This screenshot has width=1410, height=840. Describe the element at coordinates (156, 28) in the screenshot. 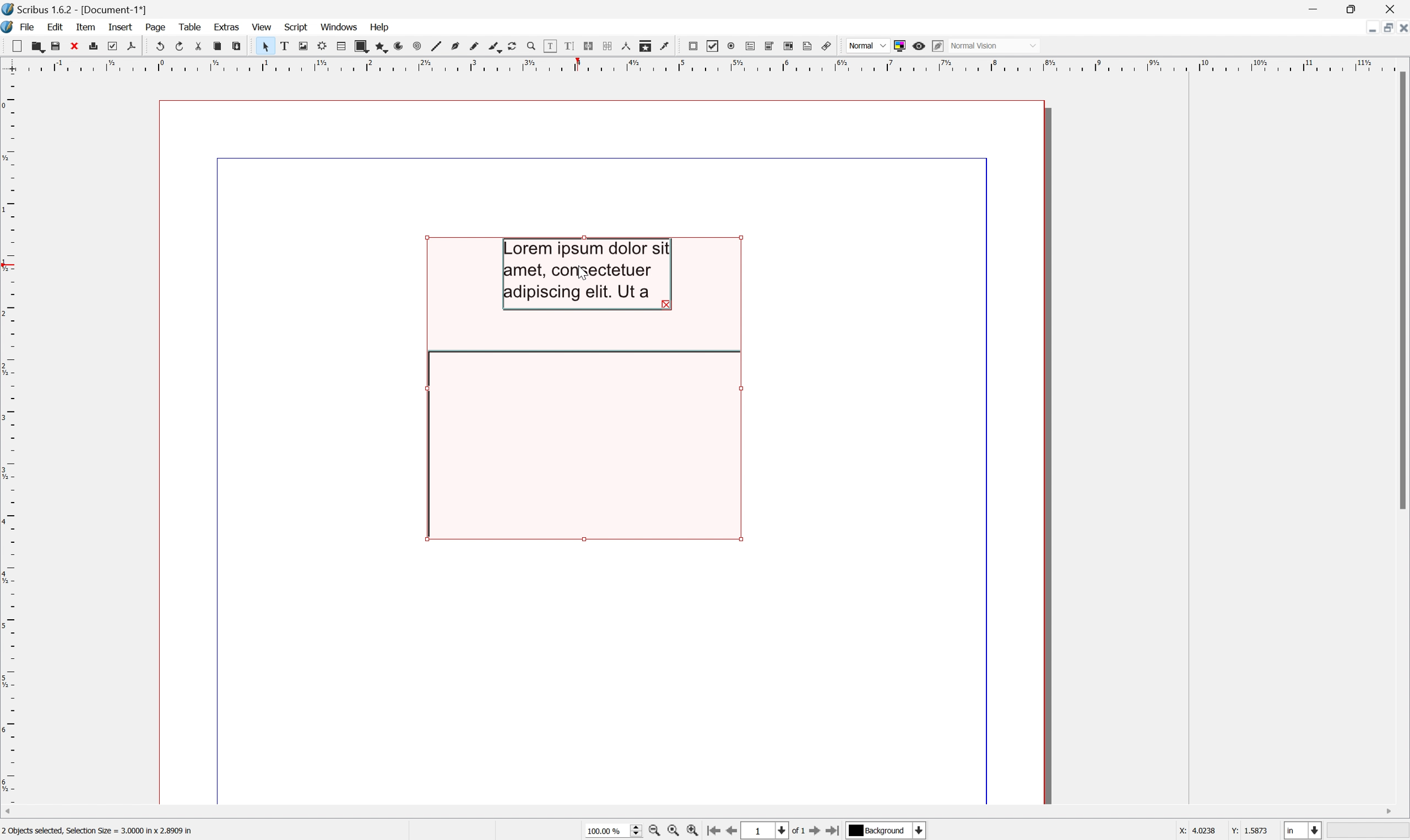

I see `Page` at that location.